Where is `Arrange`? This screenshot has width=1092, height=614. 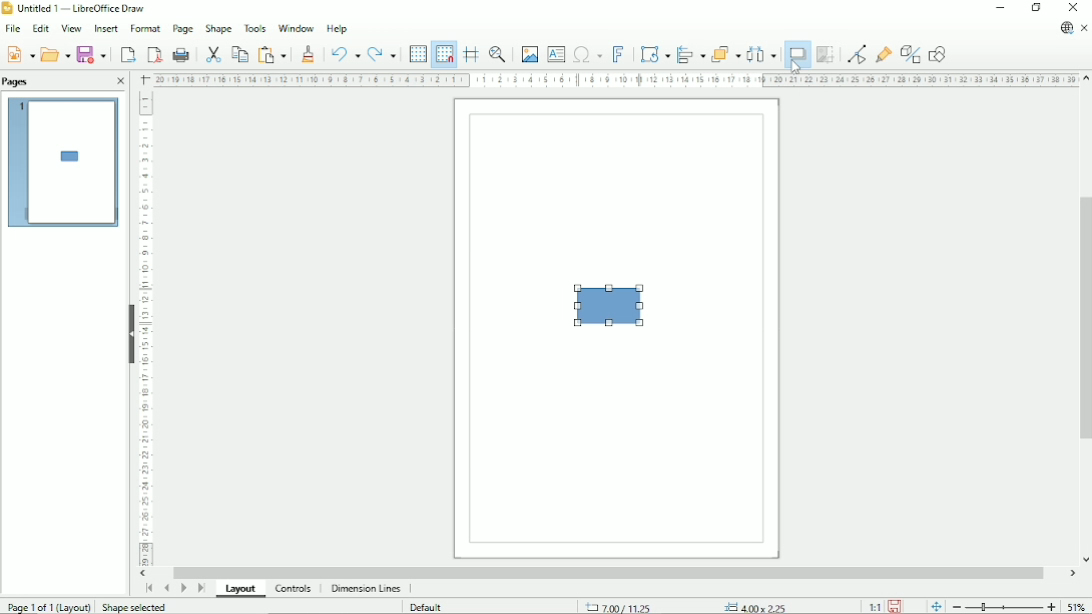
Arrange is located at coordinates (725, 54).